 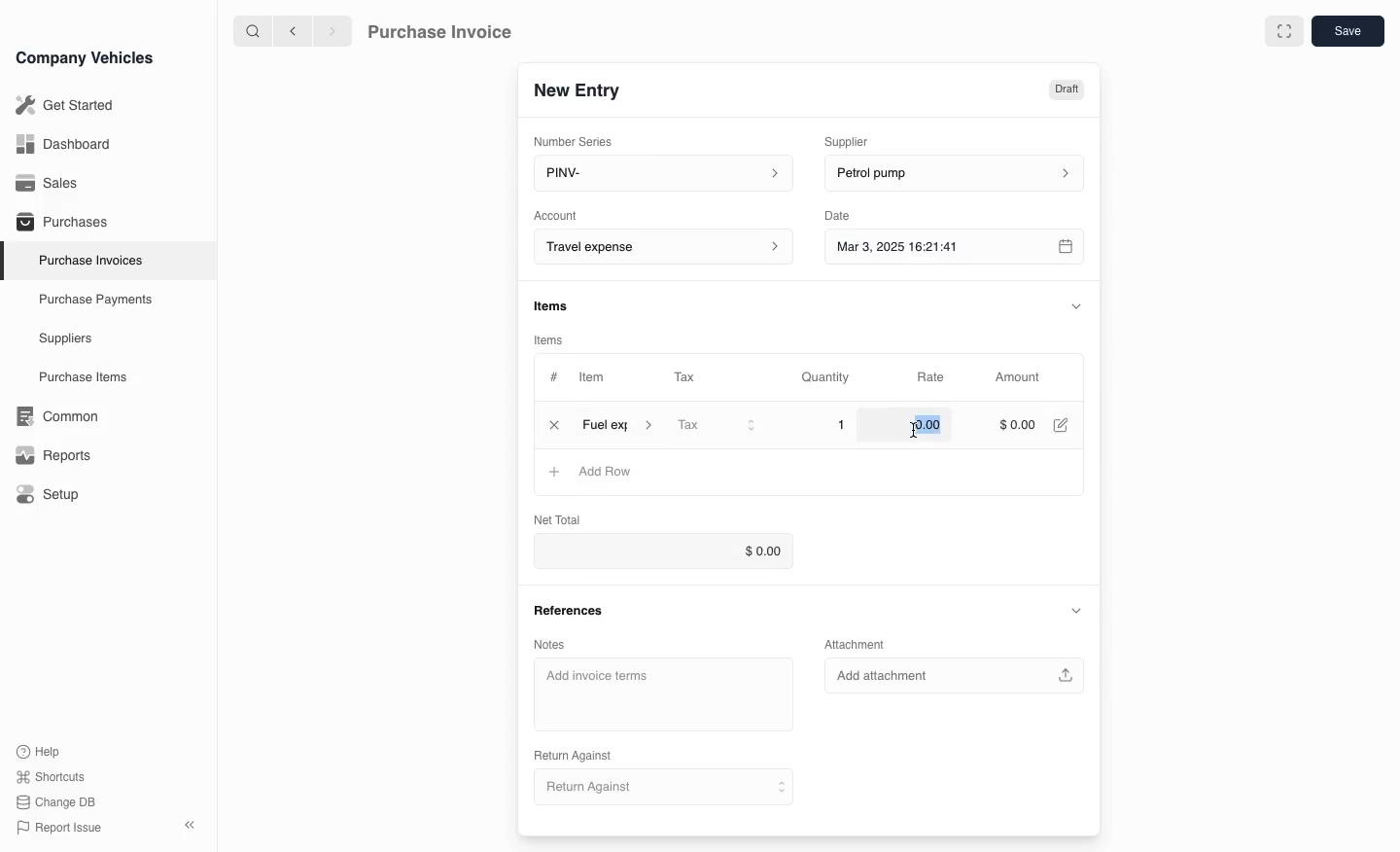 I want to click on close, so click(x=553, y=427).